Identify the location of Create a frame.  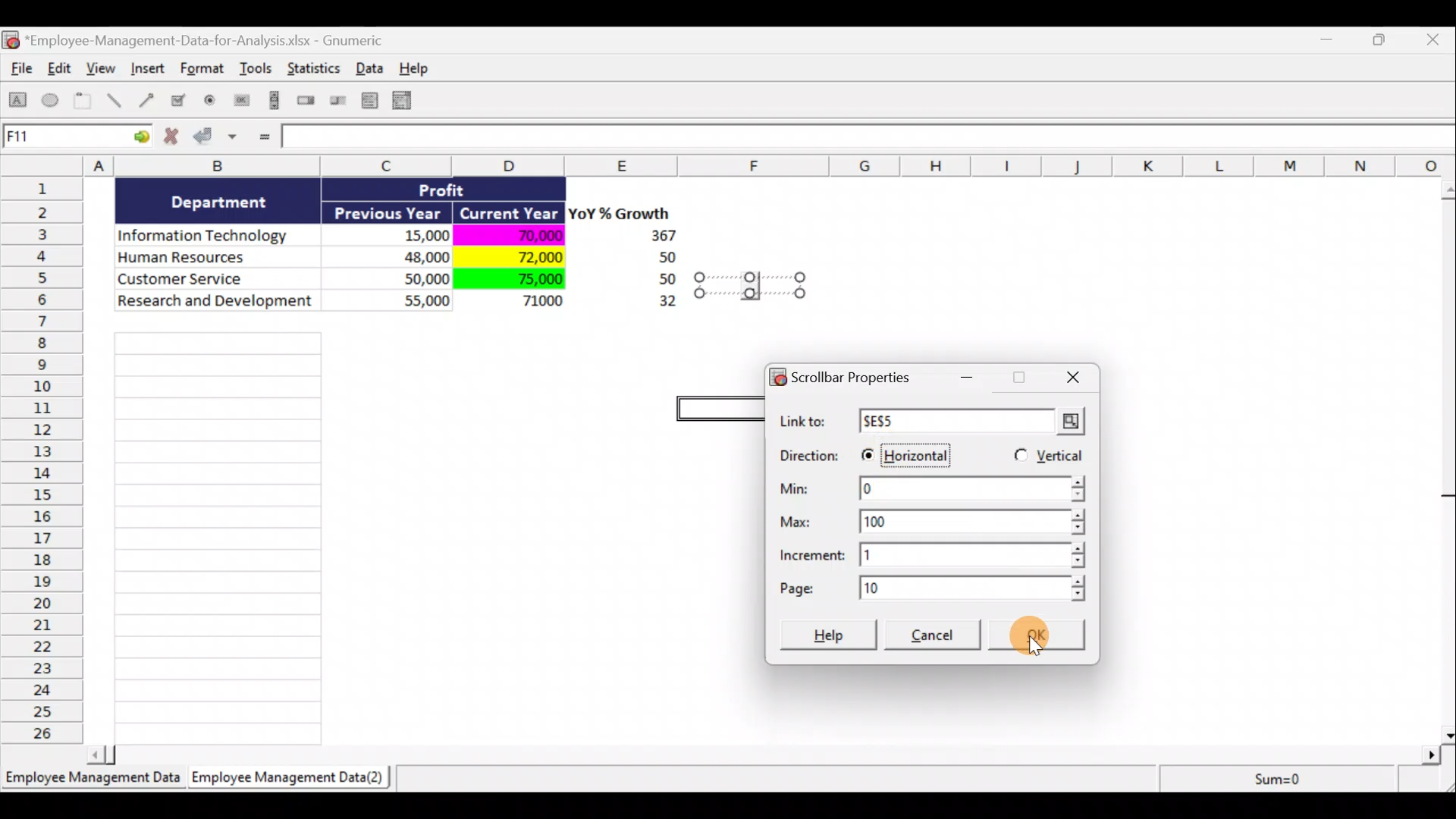
(83, 102).